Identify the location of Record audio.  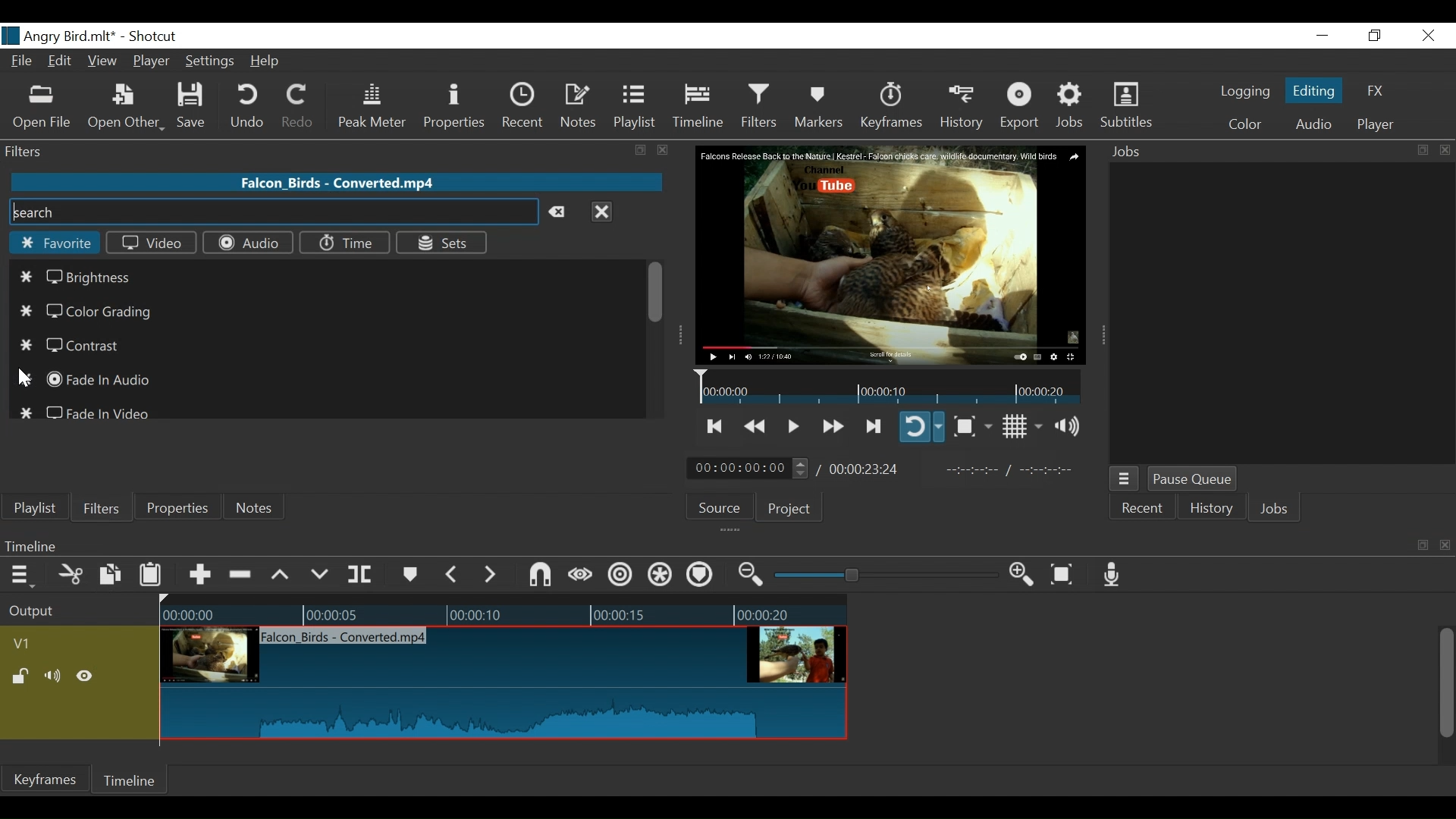
(1112, 574).